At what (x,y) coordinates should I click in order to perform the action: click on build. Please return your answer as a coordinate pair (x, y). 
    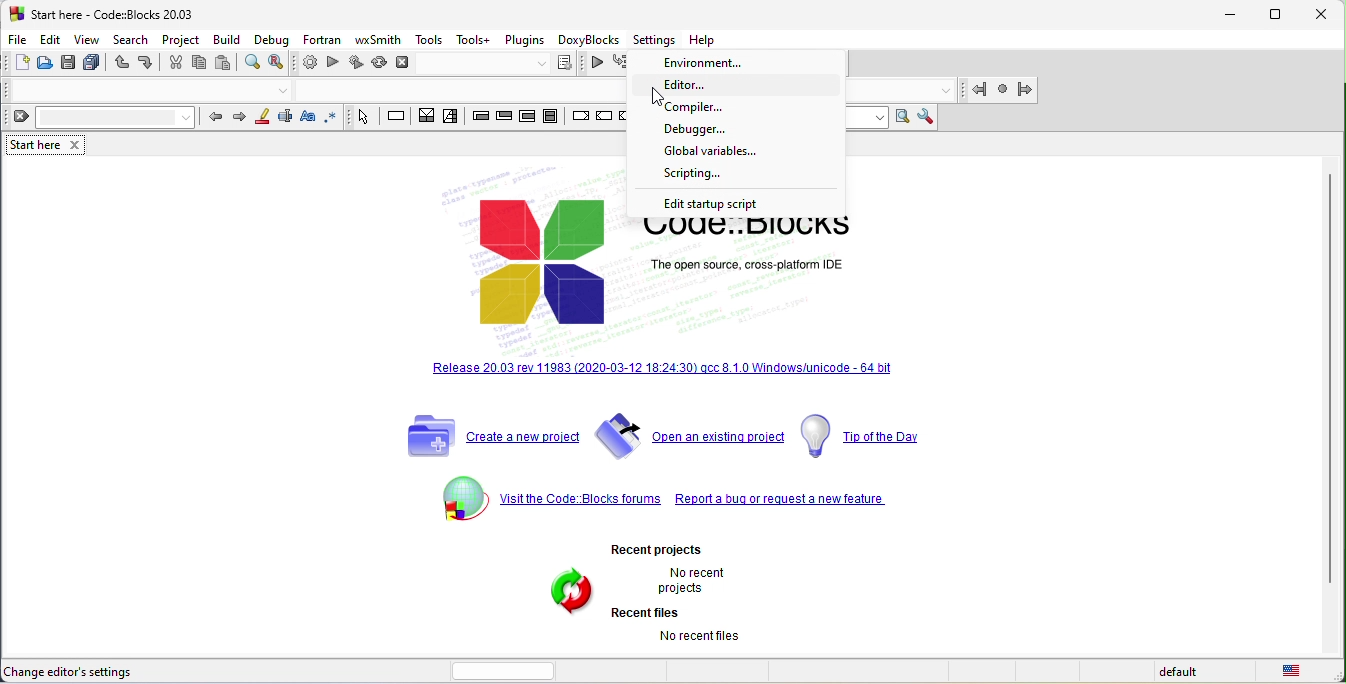
    Looking at the image, I should click on (230, 39).